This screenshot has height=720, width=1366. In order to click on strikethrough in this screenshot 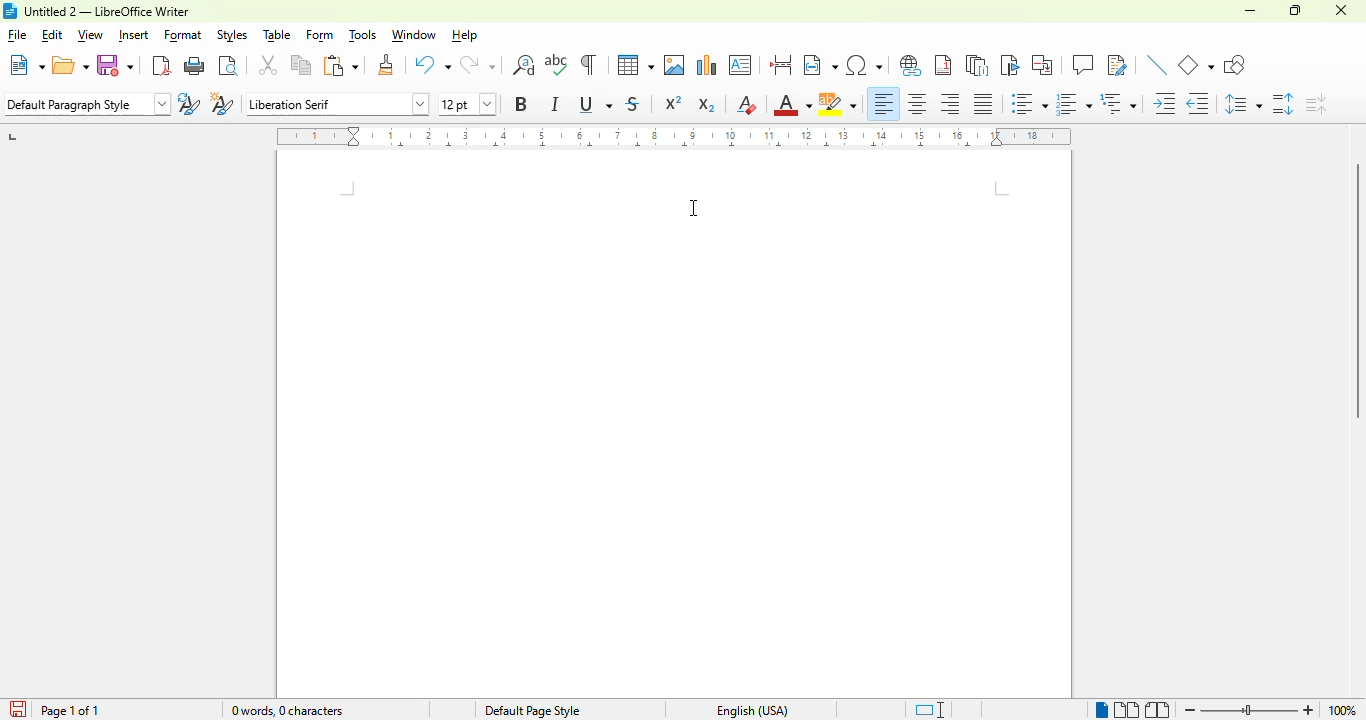, I will do `click(633, 104)`.